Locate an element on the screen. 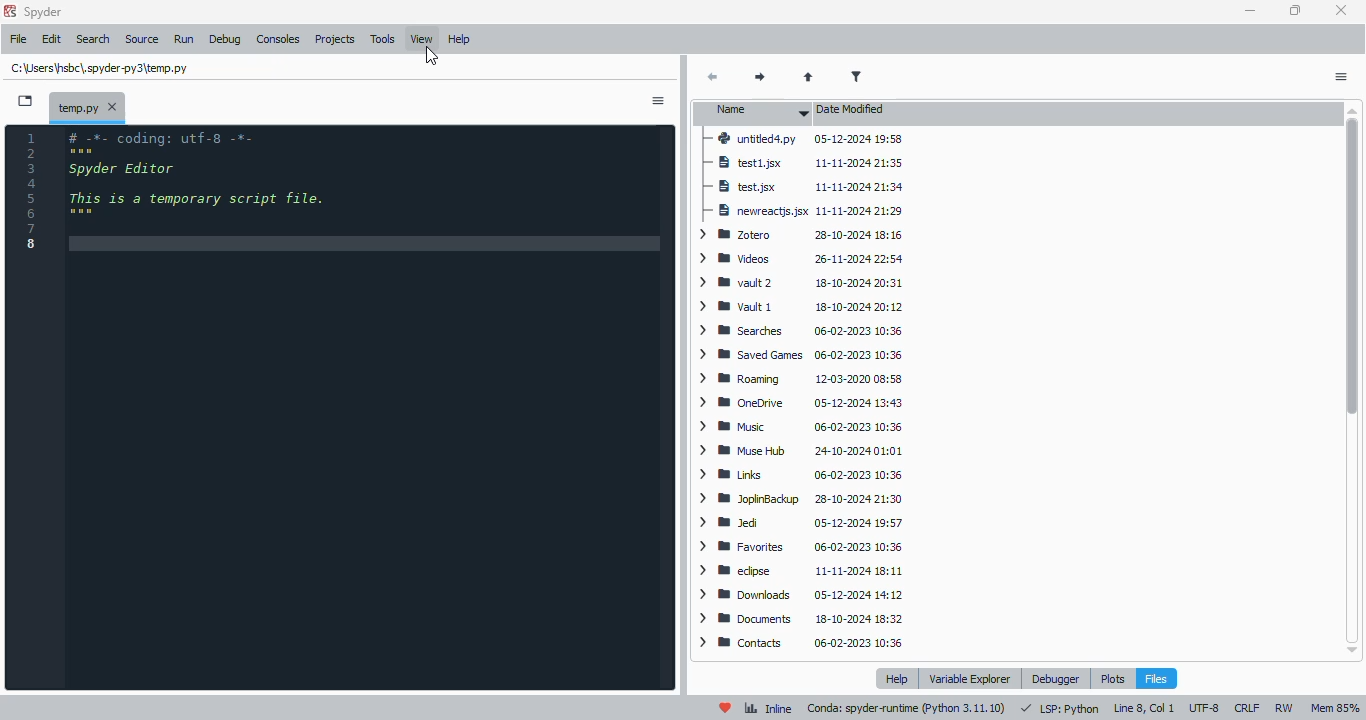 The image size is (1366, 720). contacts is located at coordinates (806, 643).